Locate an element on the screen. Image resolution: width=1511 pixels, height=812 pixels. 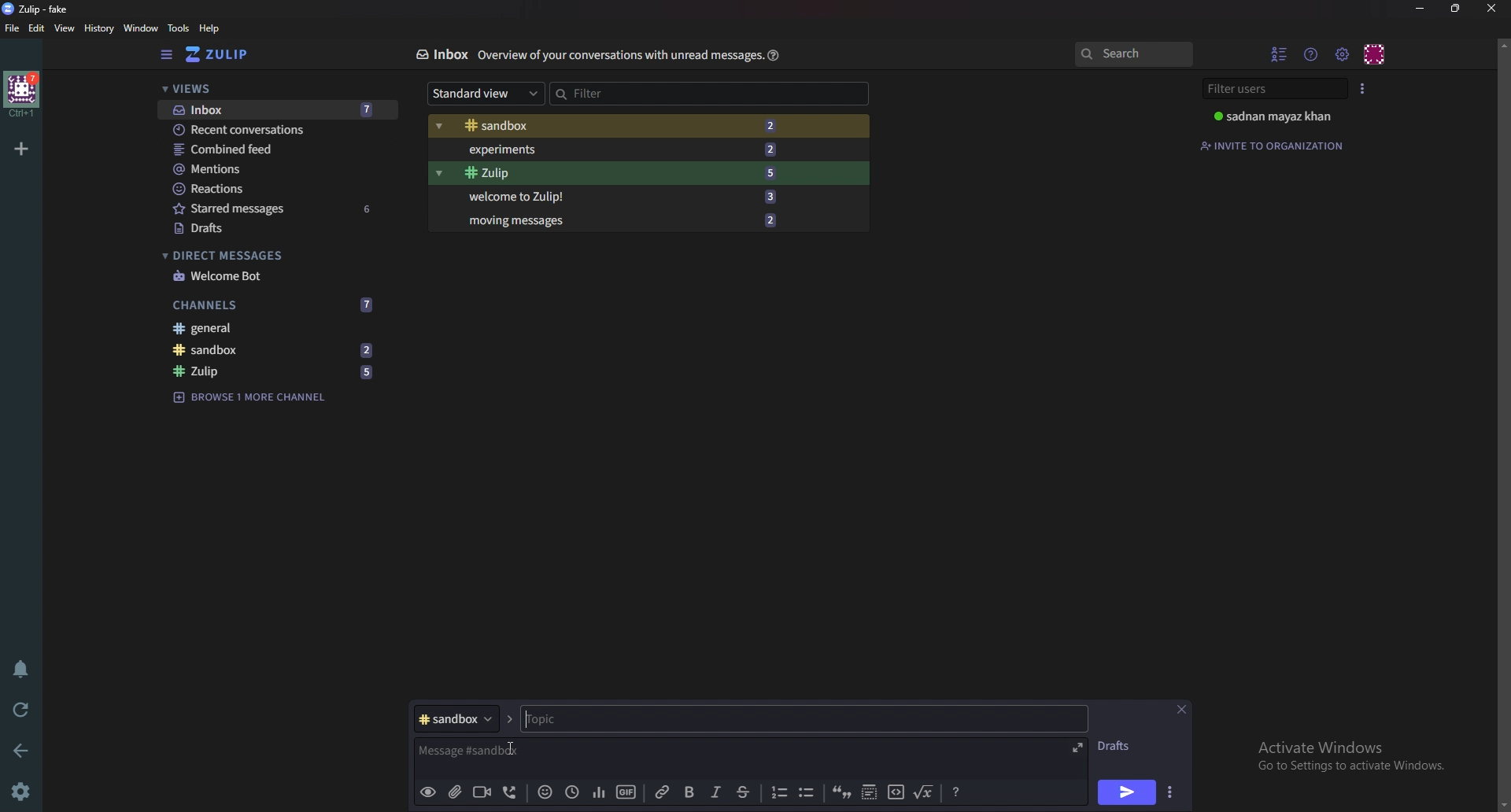
Inbox is located at coordinates (441, 54).